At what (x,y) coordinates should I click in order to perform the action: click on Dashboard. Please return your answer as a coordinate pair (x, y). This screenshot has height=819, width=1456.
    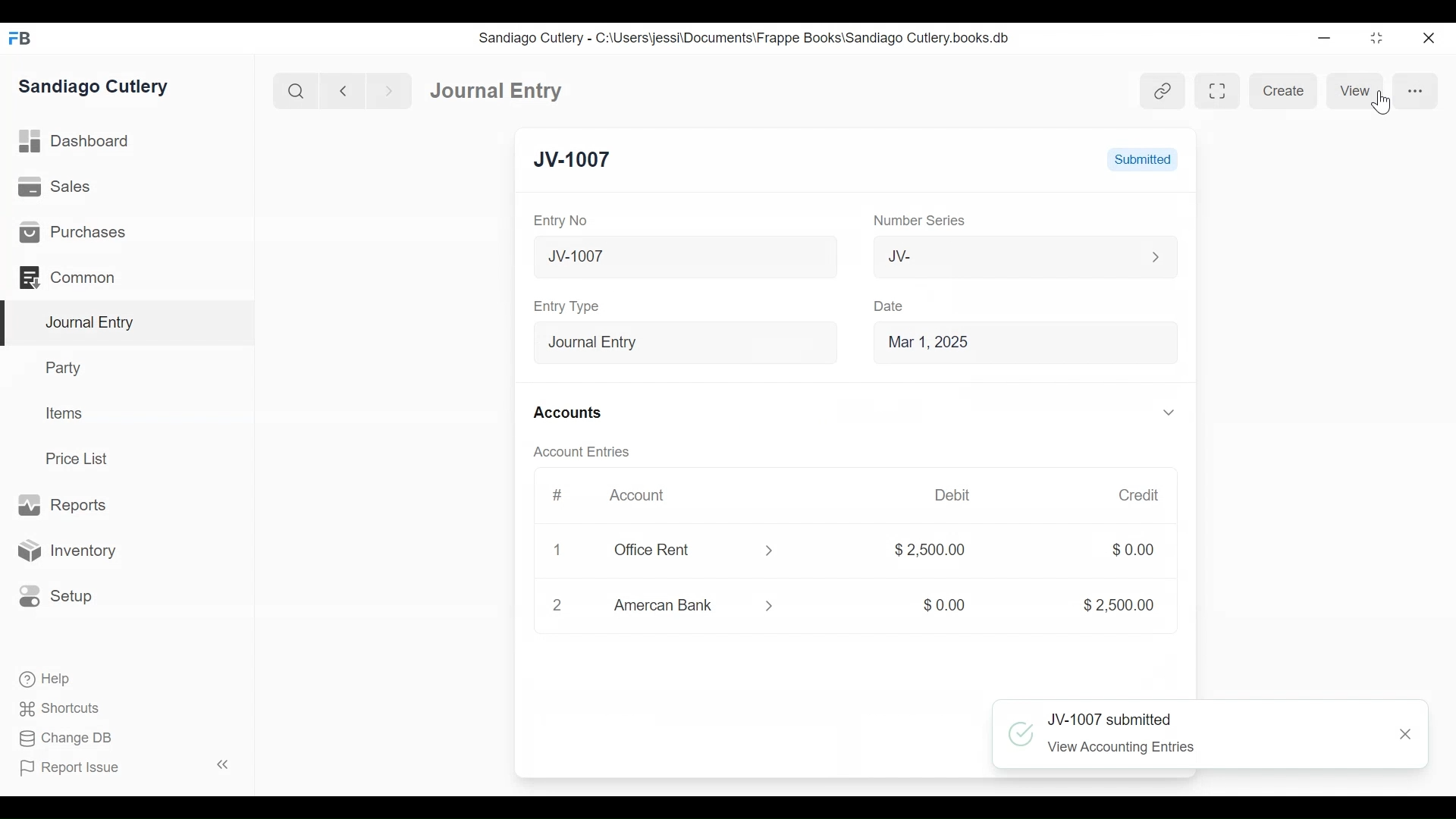
    Looking at the image, I should click on (491, 89).